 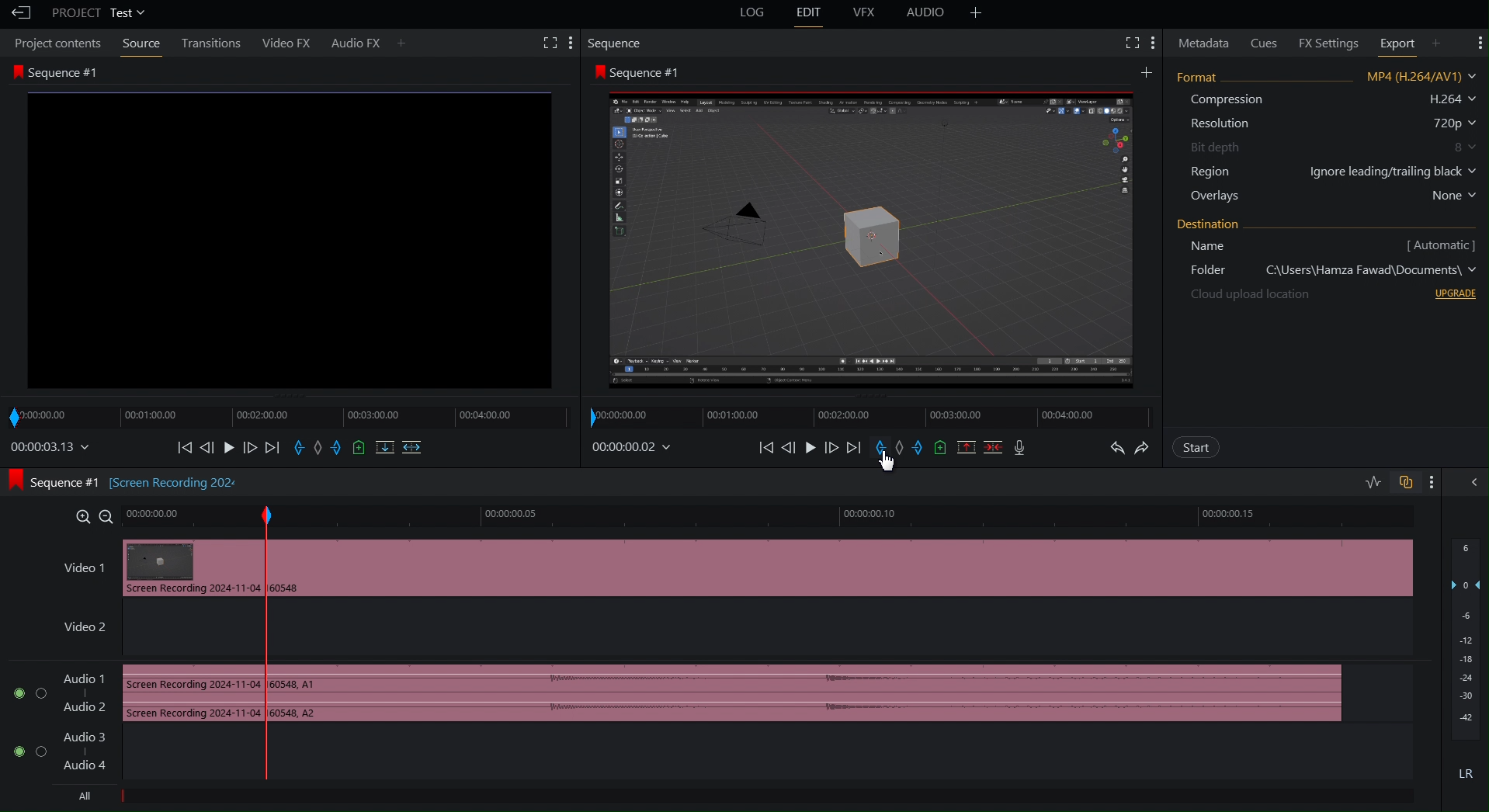 I want to click on FX Settings, so click(x=1324, y=42).